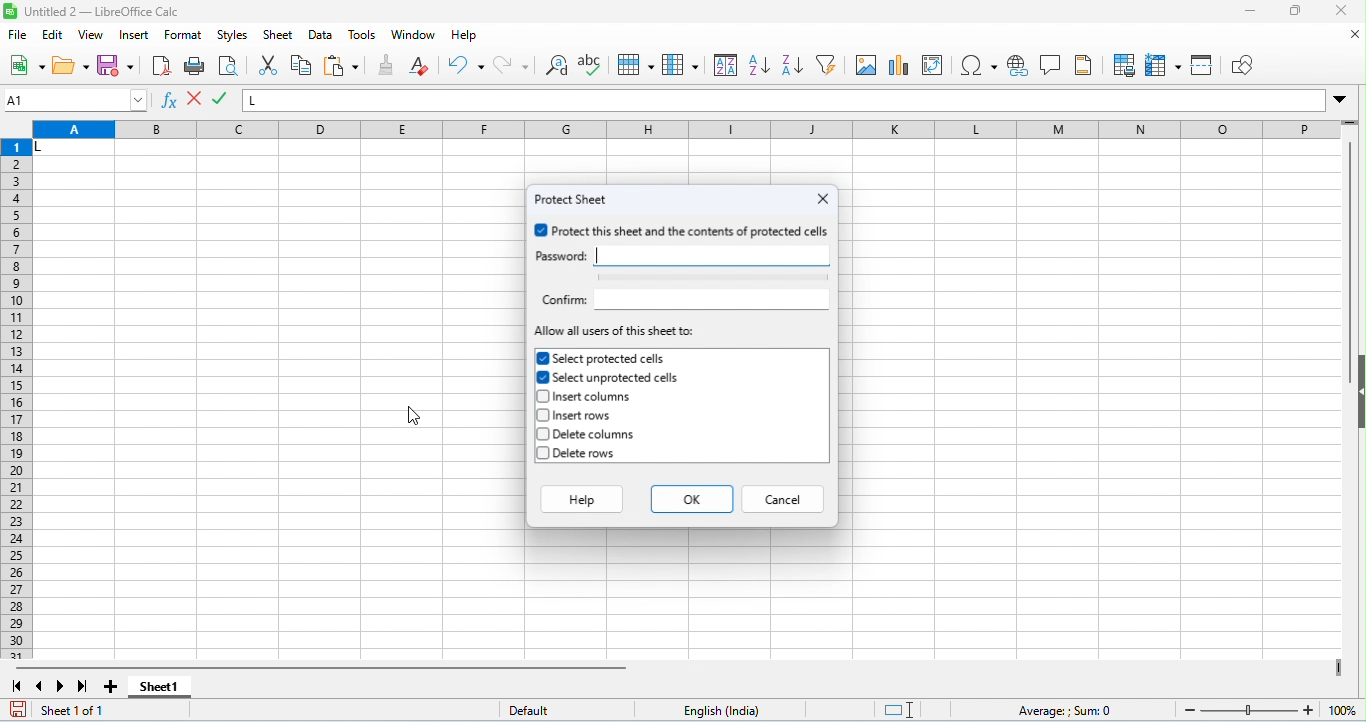 Image resolution: width=1366 pixels, height=722 pixels. I want to click on cancel, so click(785, 498).